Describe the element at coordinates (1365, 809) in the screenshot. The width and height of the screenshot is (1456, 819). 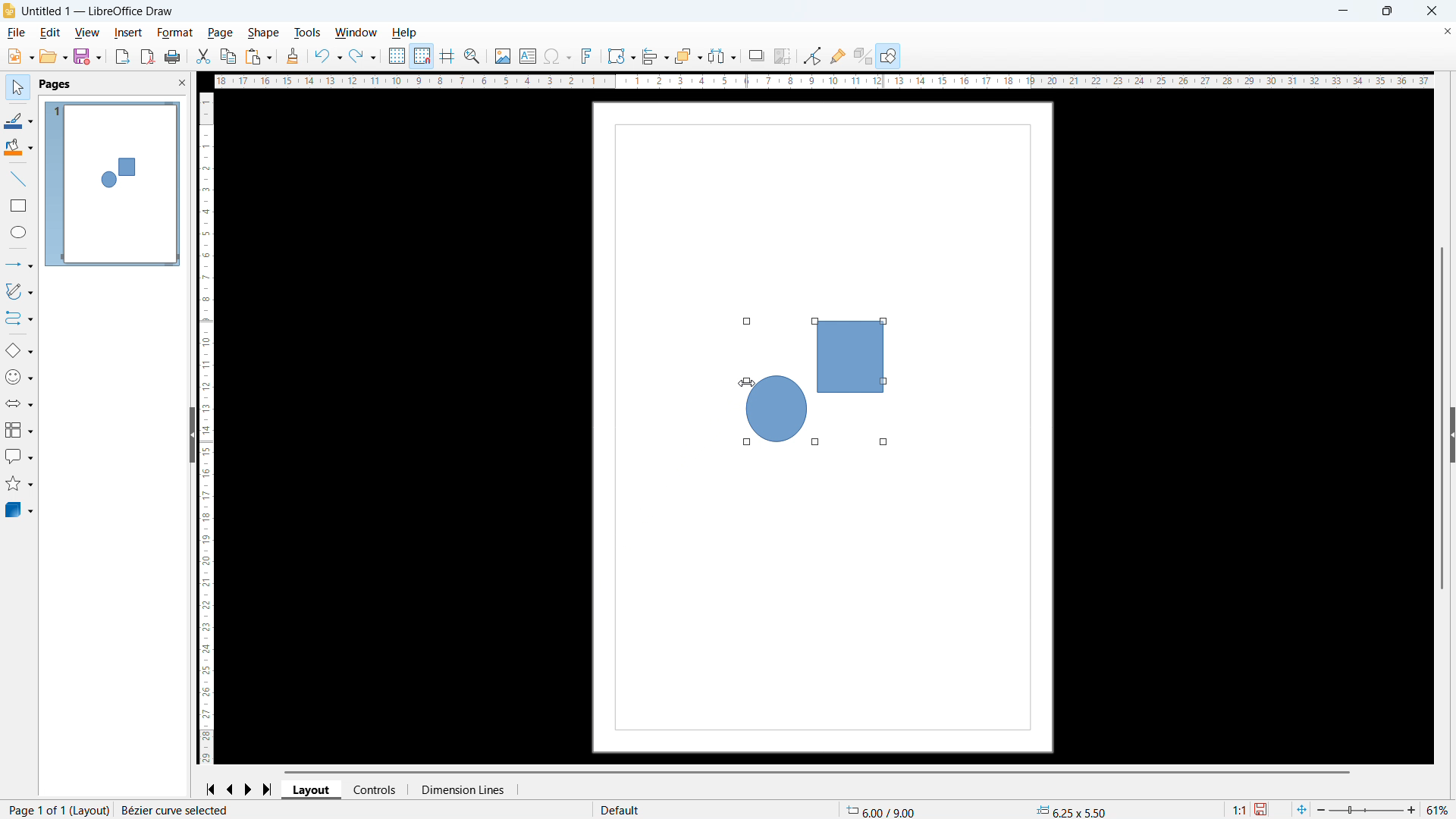
I see `Zoom slider ` at that location.